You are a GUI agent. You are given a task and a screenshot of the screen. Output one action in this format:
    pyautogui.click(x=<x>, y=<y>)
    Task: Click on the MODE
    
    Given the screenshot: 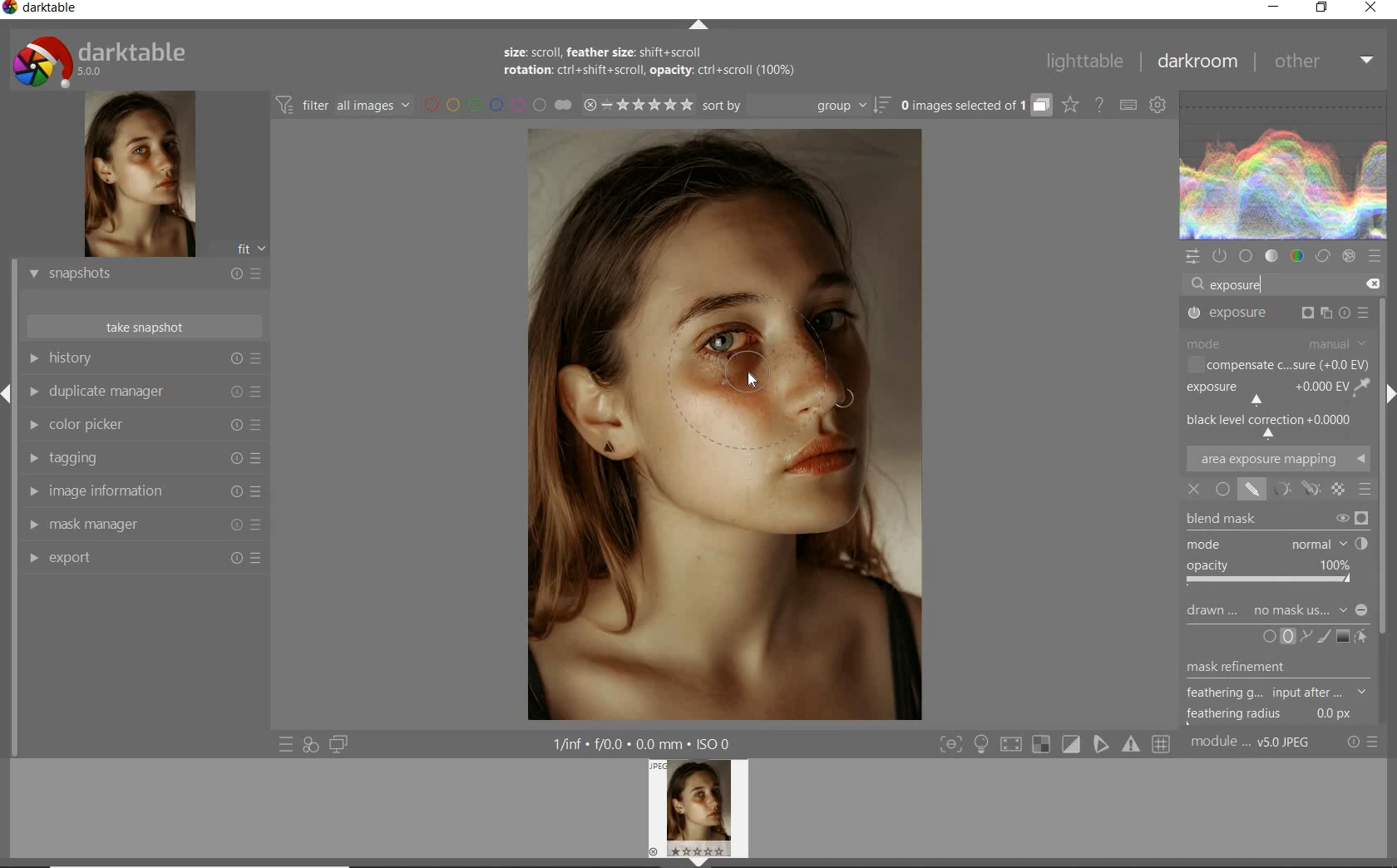 What is the action you would take?
    pyautogui.click(x=1272, y=542)
    